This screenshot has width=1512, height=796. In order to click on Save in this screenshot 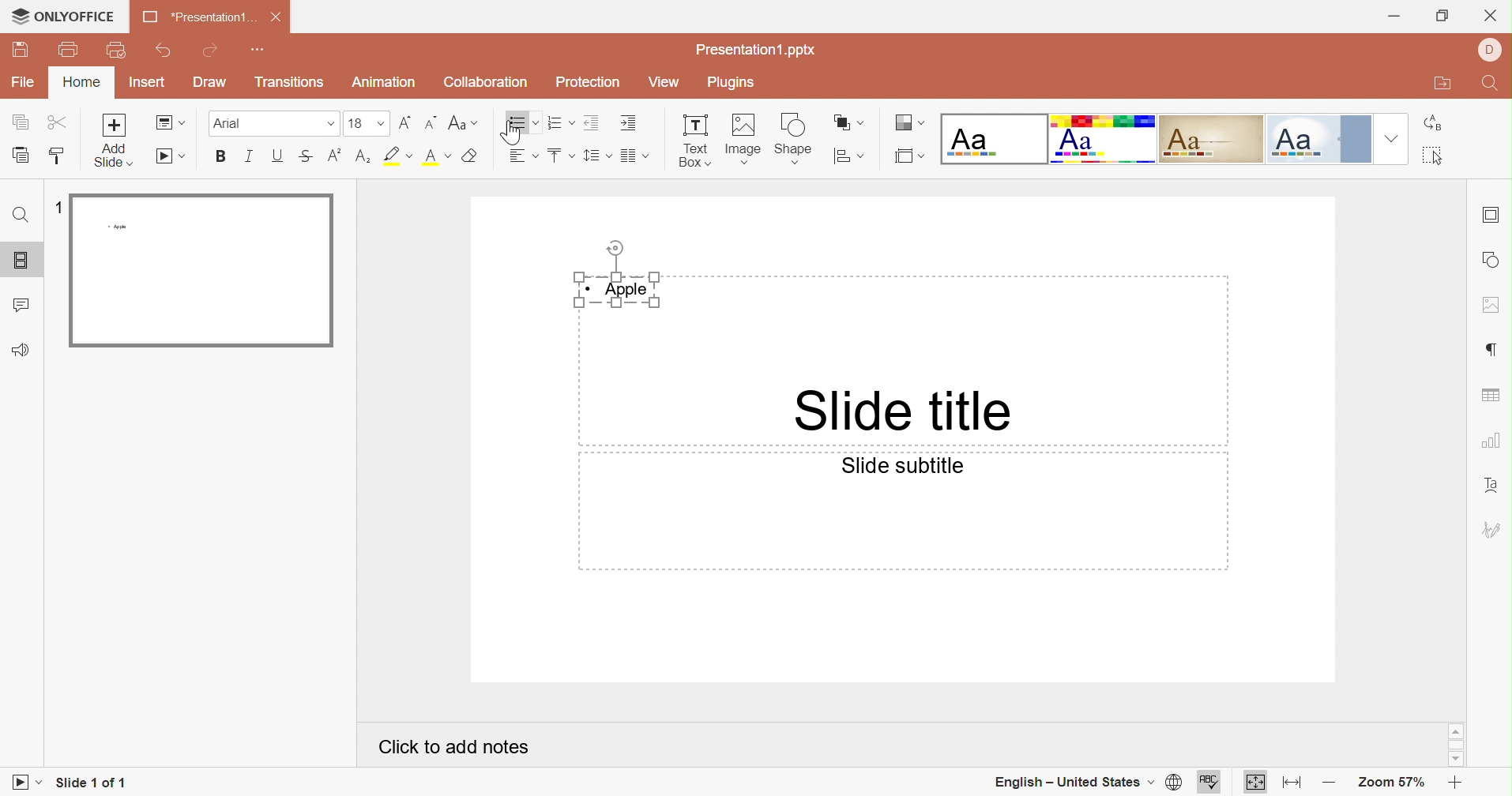, I will do `click(23, 48)`.